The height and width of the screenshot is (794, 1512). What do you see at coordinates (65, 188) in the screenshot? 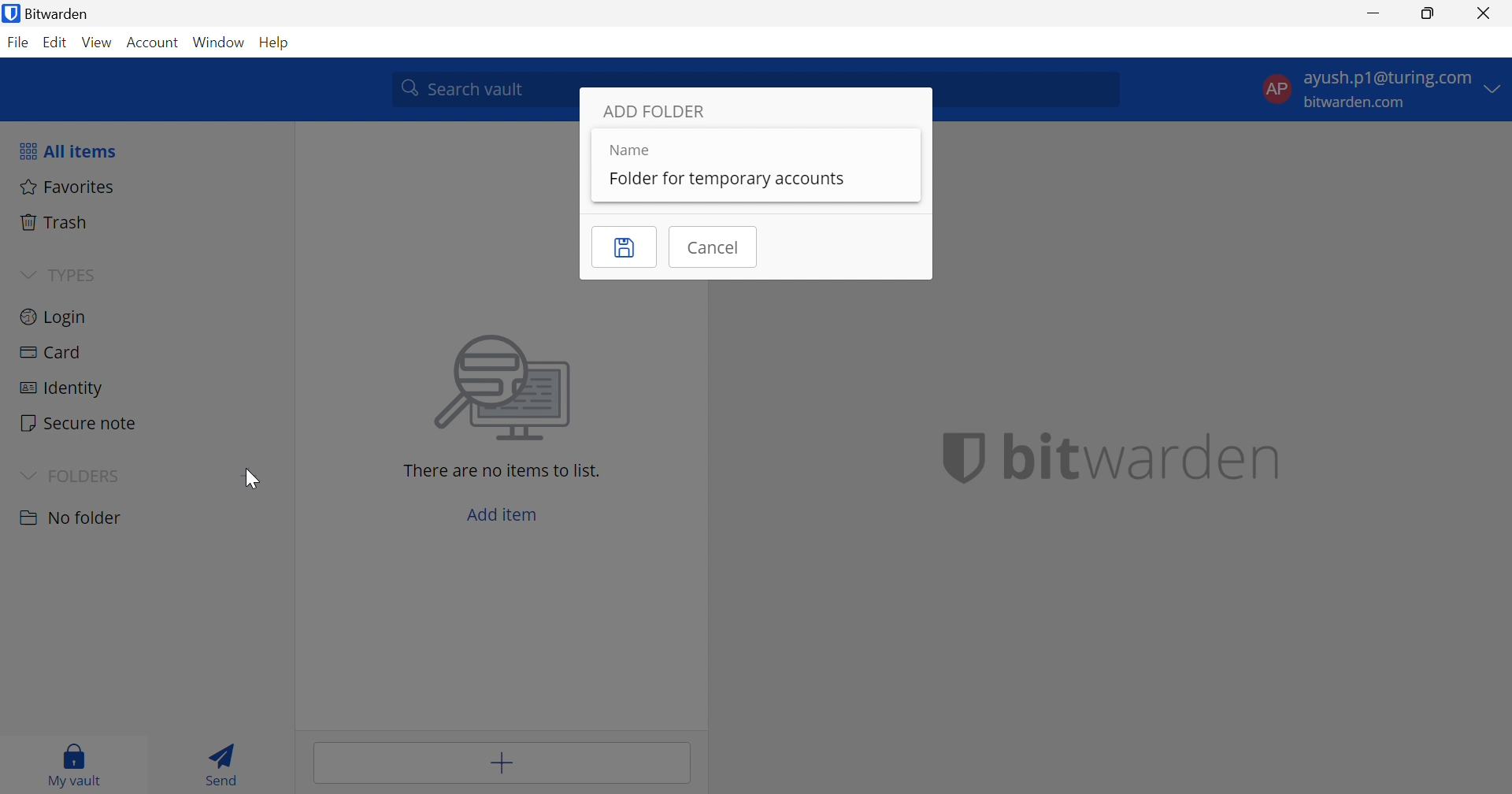
I see `Fovorites` at bounding box center [65, 188].